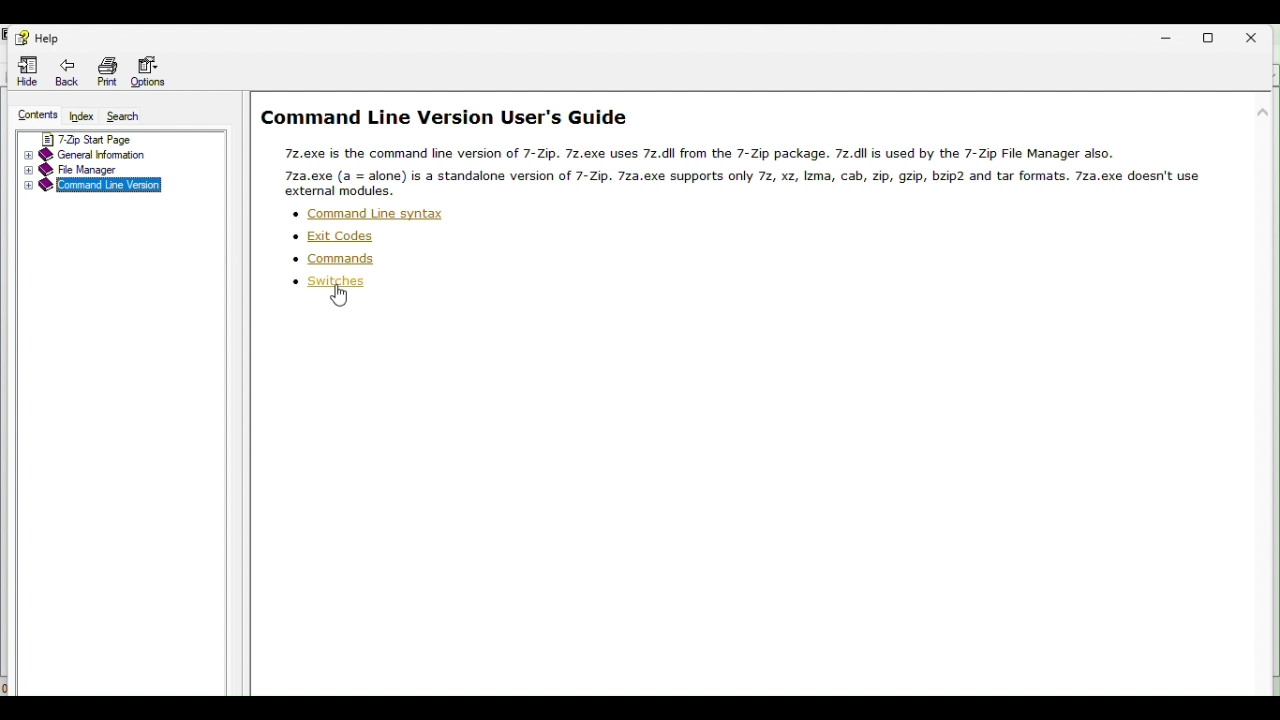 This screenshot has width=1280, height=720. I want to click on Hide, so click(23, 71).